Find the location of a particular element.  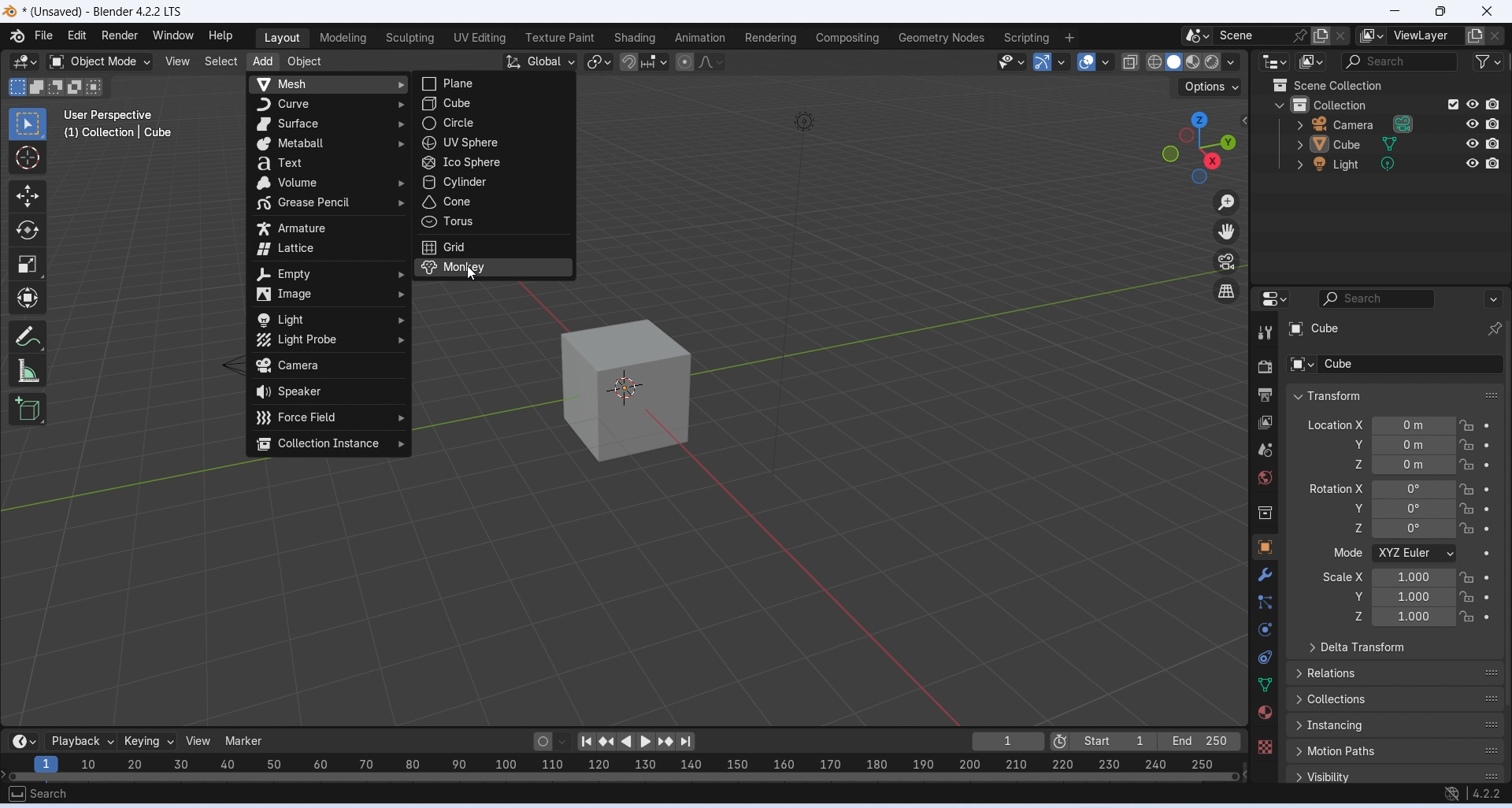

mode is located at coordinates (1346, 554).